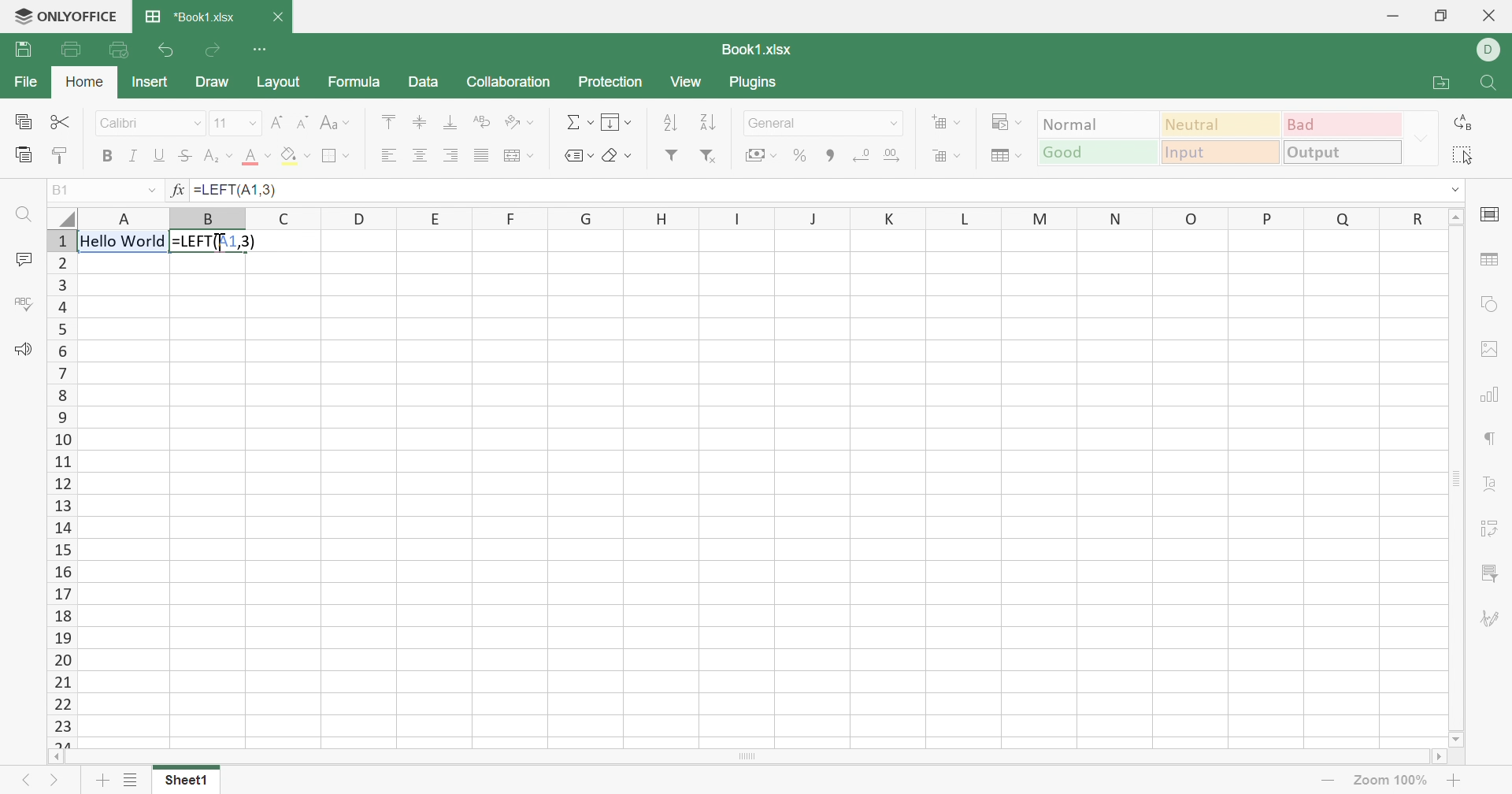  I want to click on Quick print, so click(118, 50).